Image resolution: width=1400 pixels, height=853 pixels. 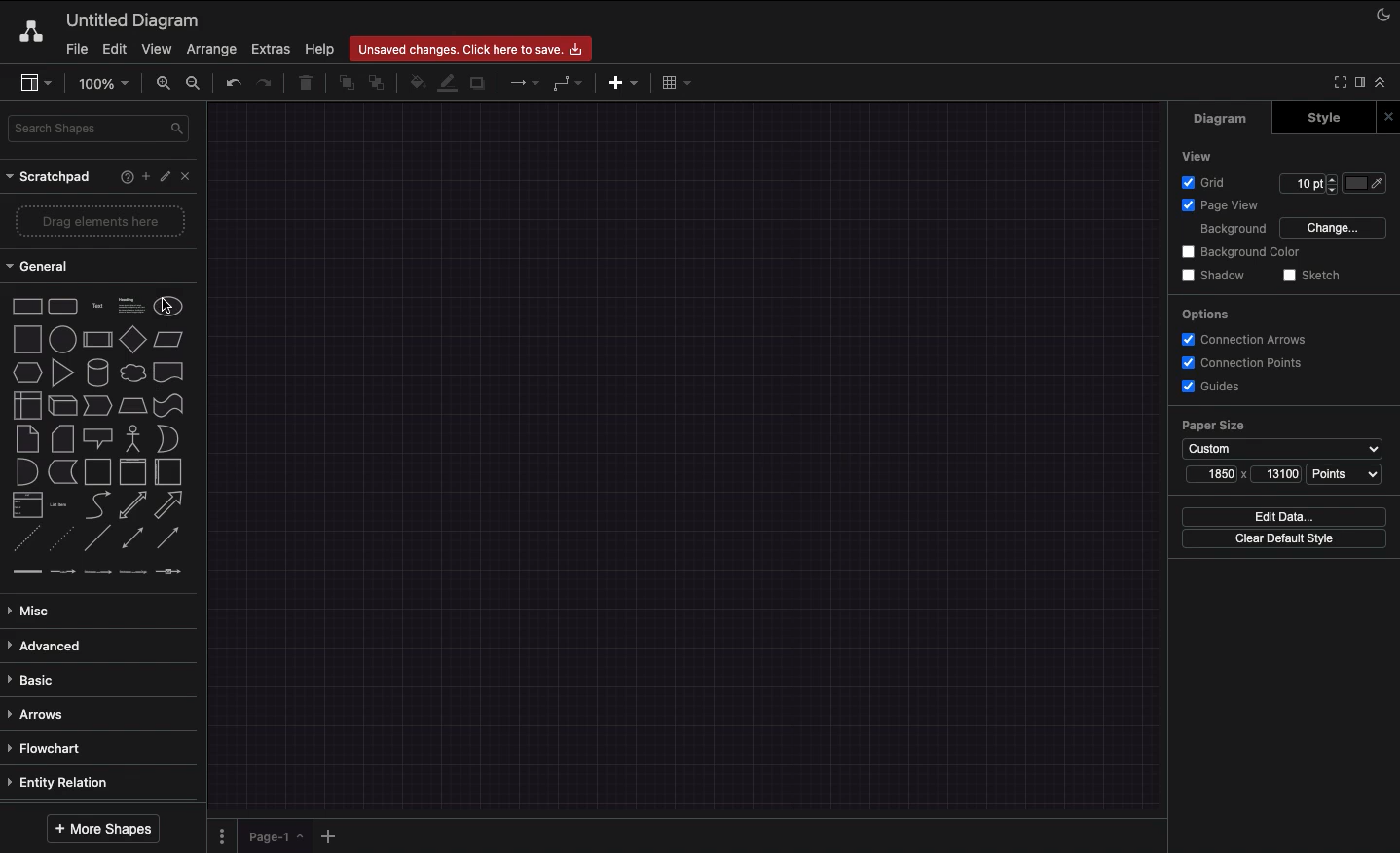 I want to click on Background color, so click(x=1243, y=252).